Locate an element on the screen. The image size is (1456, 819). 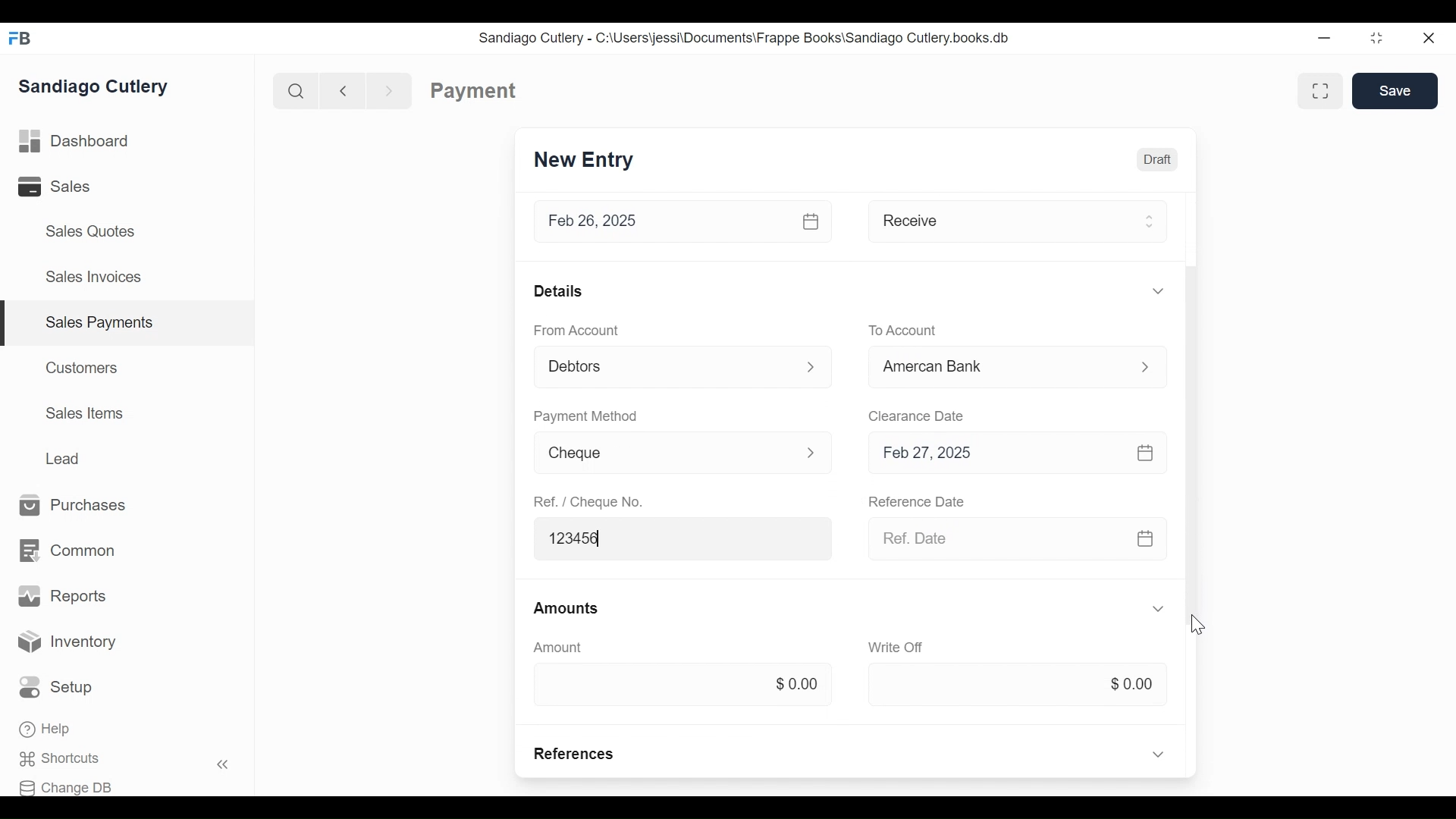
Help is located at coordinates (47, 730).